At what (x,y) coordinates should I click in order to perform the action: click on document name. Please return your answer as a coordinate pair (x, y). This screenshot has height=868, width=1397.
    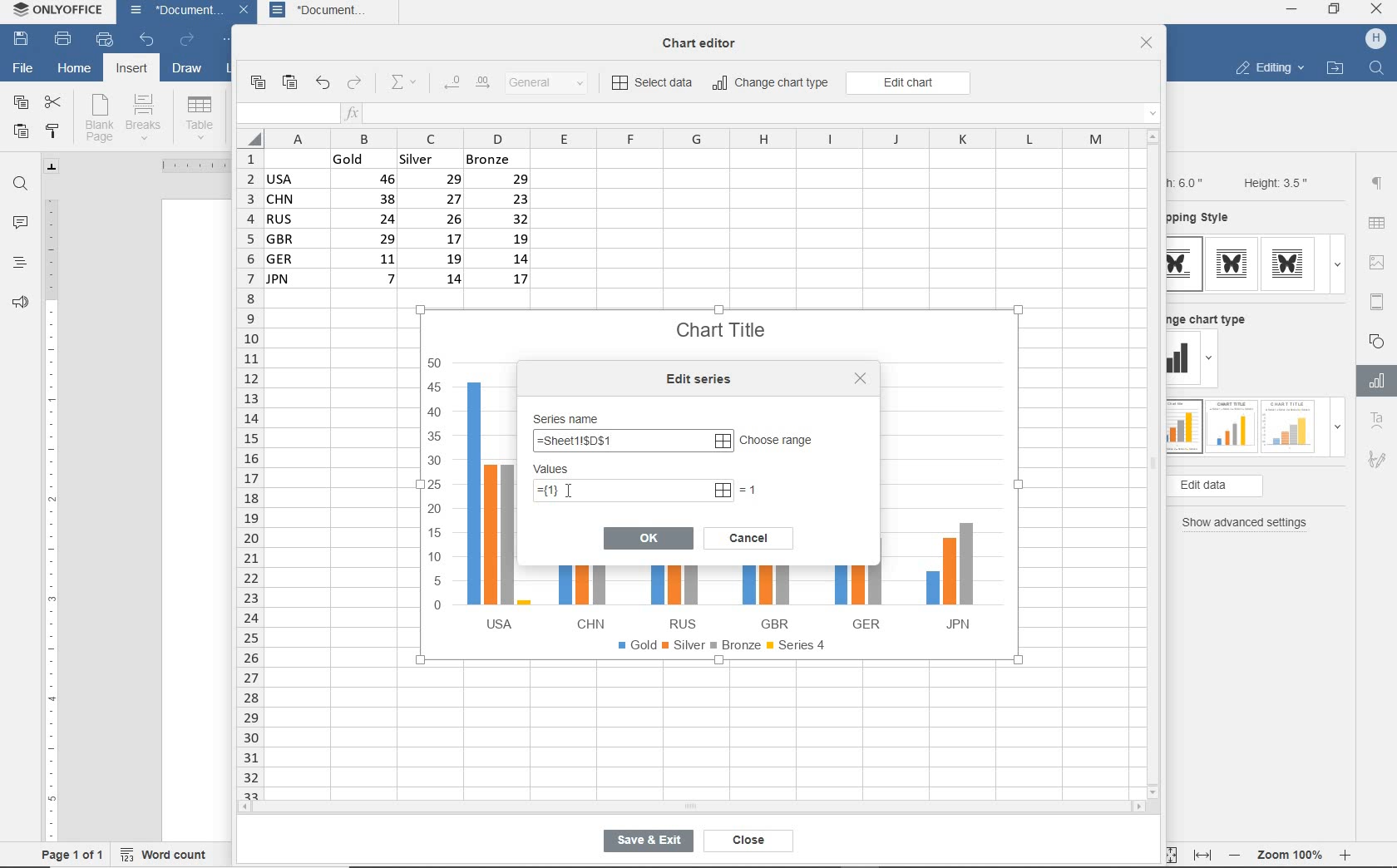
    Looking at the image, I should click on (171, 12).